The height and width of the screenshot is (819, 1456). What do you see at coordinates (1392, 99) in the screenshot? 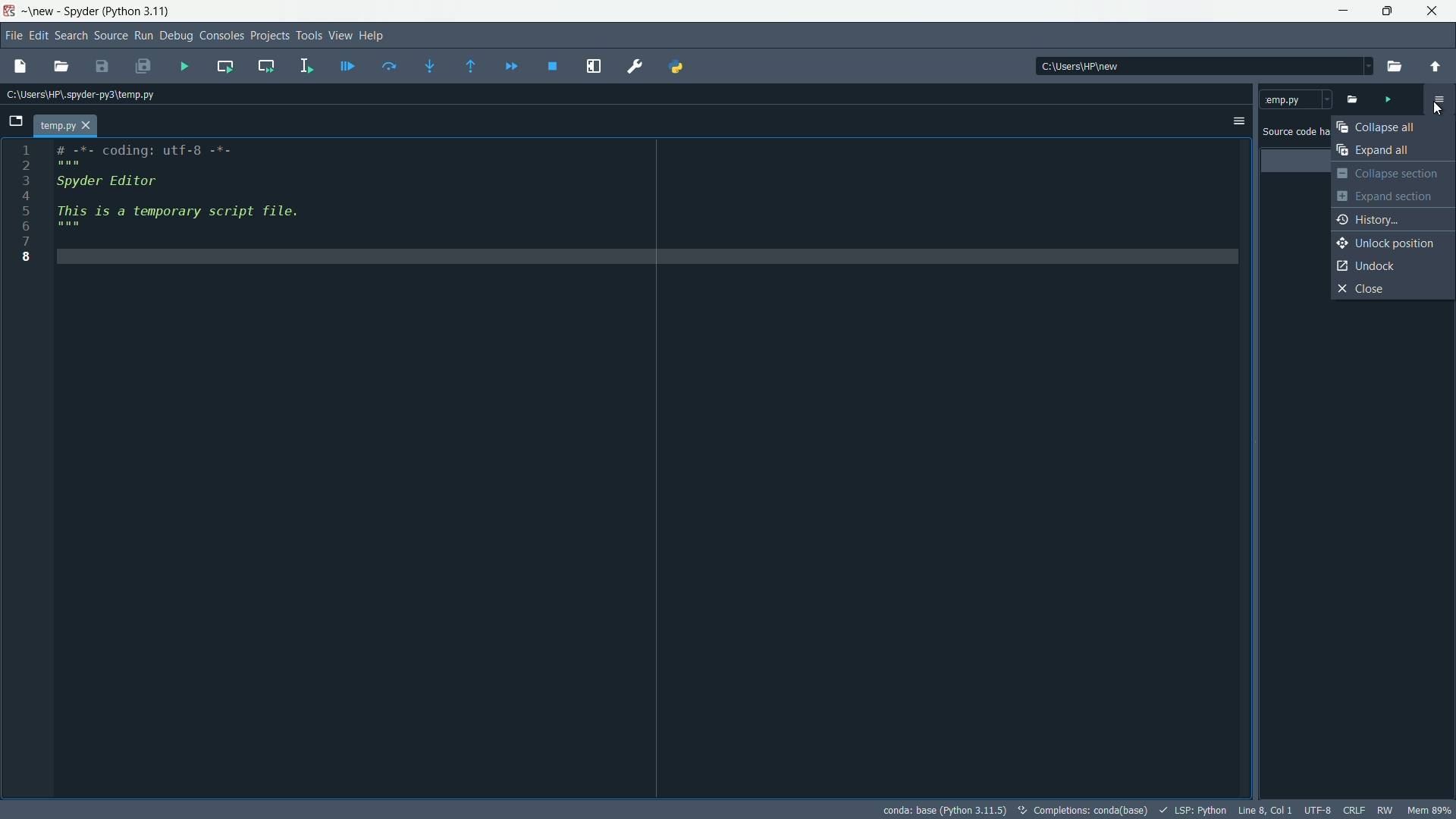
I see `run file` at bounding box center [1392, 99].